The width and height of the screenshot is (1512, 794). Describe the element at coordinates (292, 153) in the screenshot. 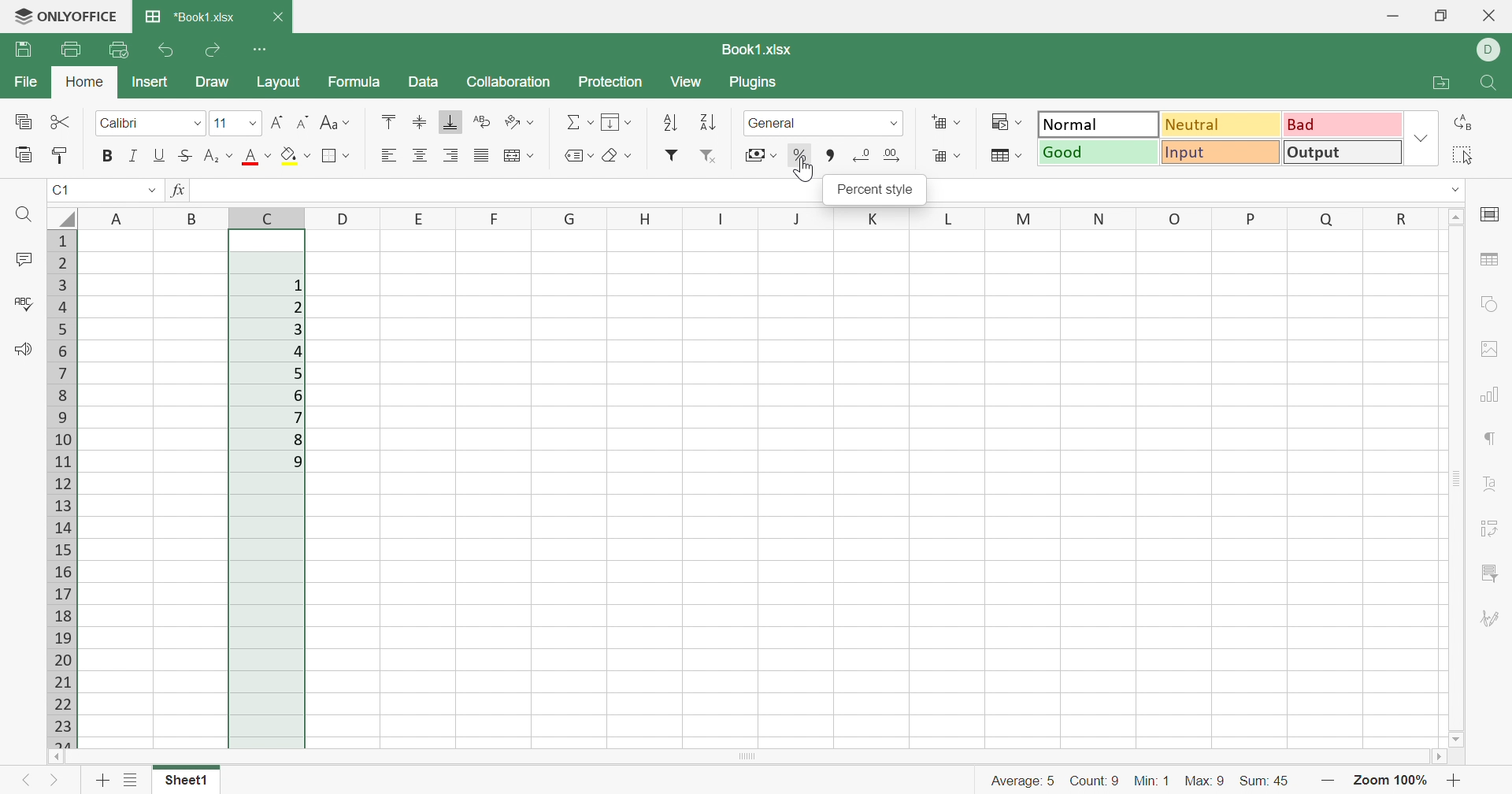

I see `Fill color` at that location.